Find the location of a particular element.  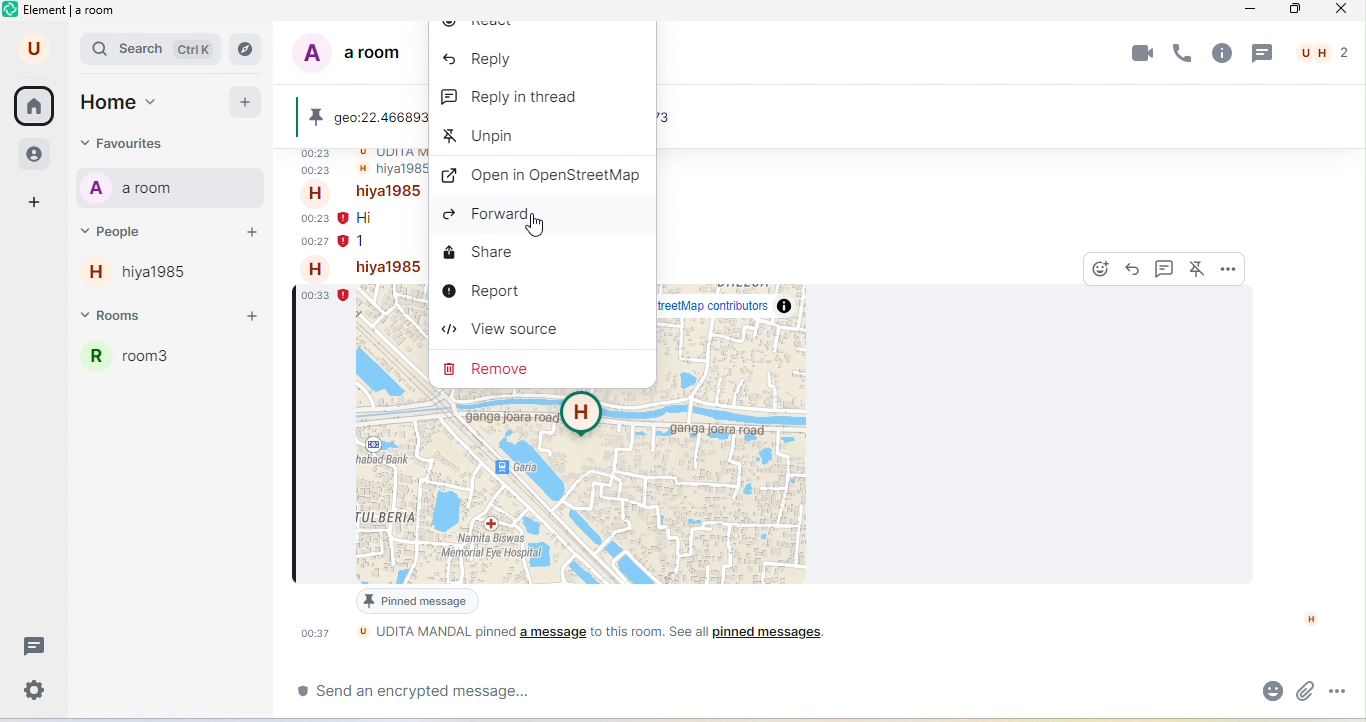

element a room is located at coordinates (70, 13).